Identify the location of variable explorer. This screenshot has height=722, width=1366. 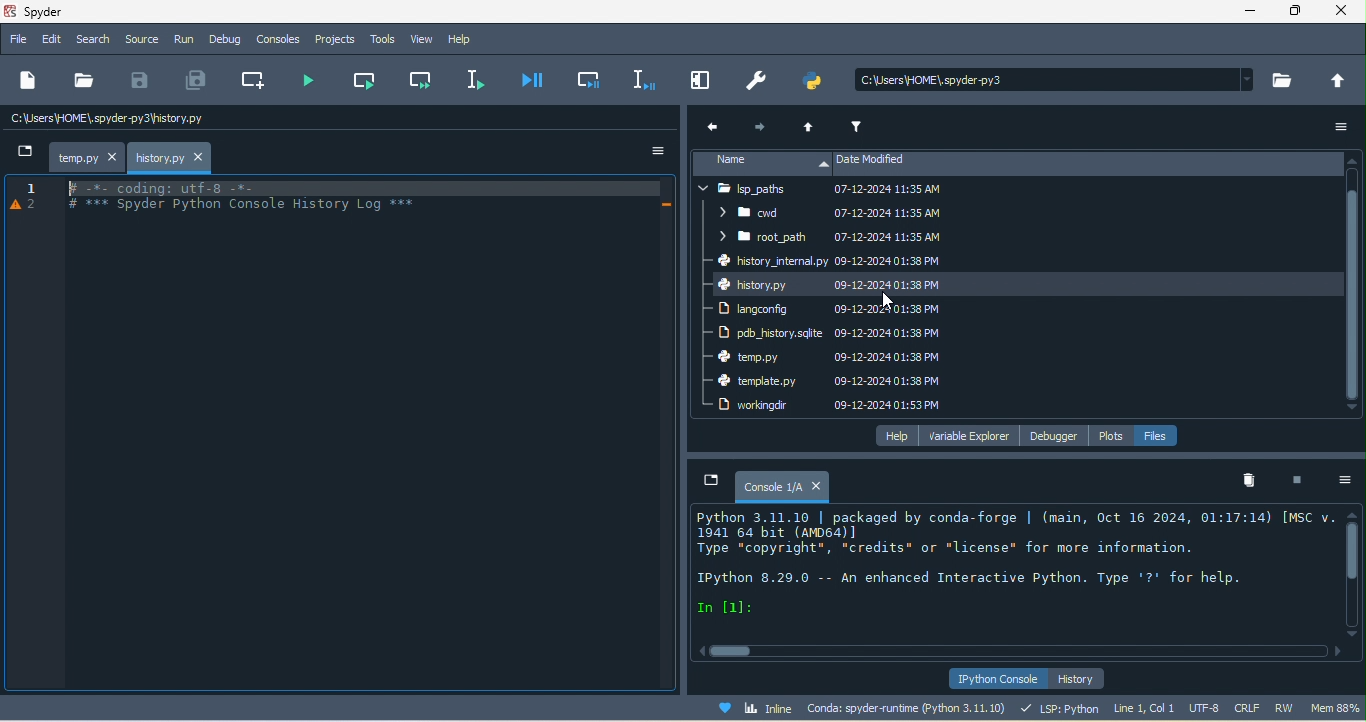
(975, 434).